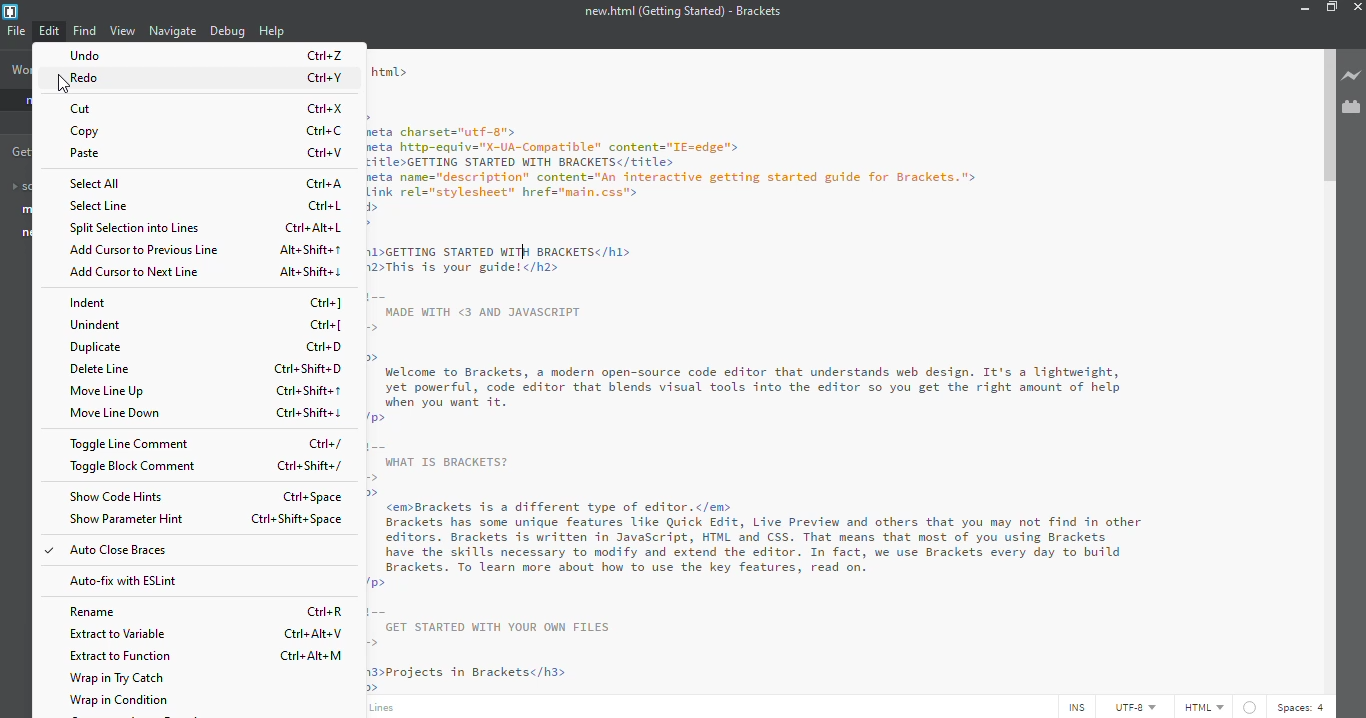  Describe the element at coordinates (148, 249) in the screenshot. I see `add cursor` at that location.